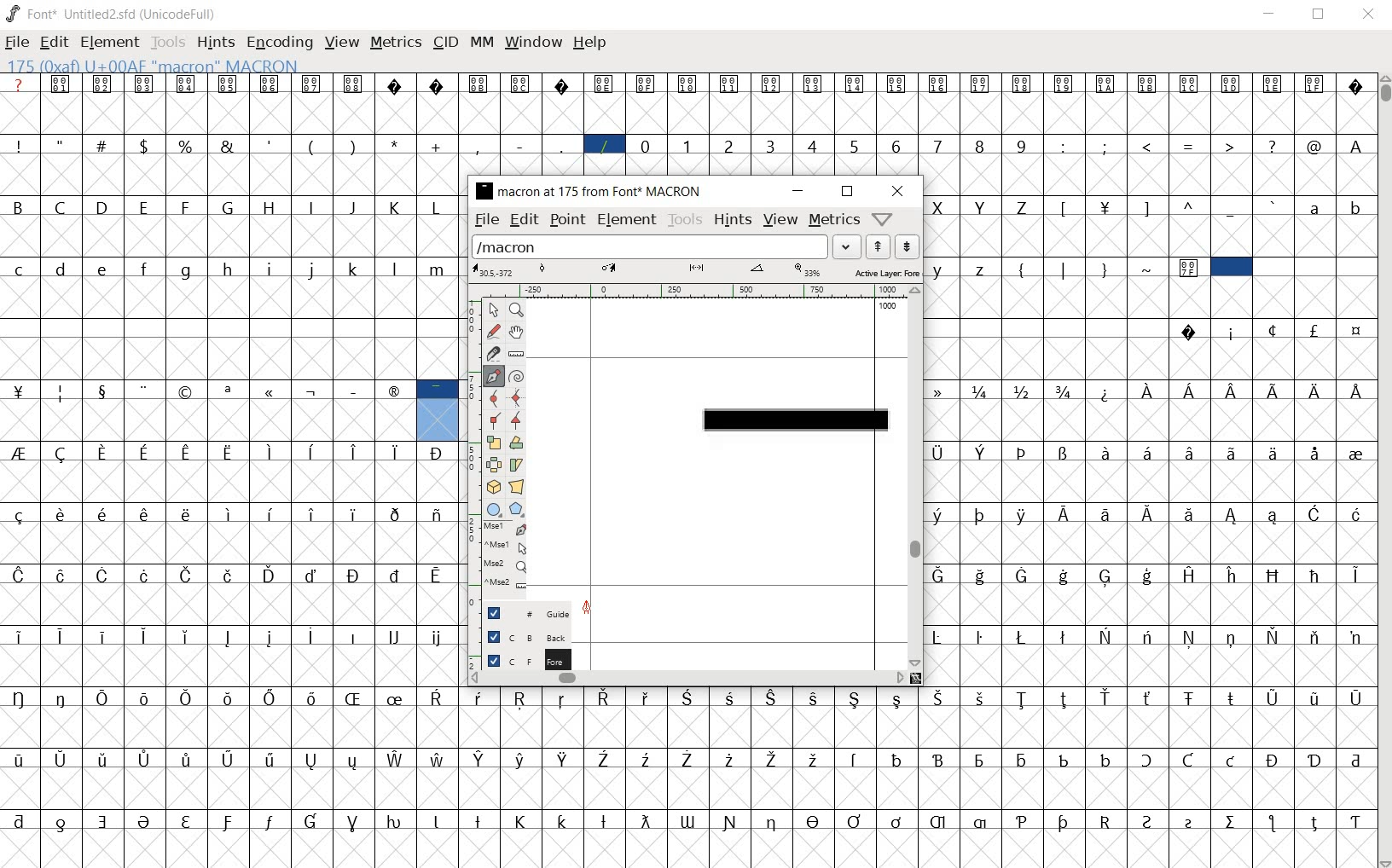 The width and height of the screenshot is (1392, 868). What do you see at coordinates (496, 508) in the screenshot?
I see `rectangle/ellipse` at bounding box center [496, 508].